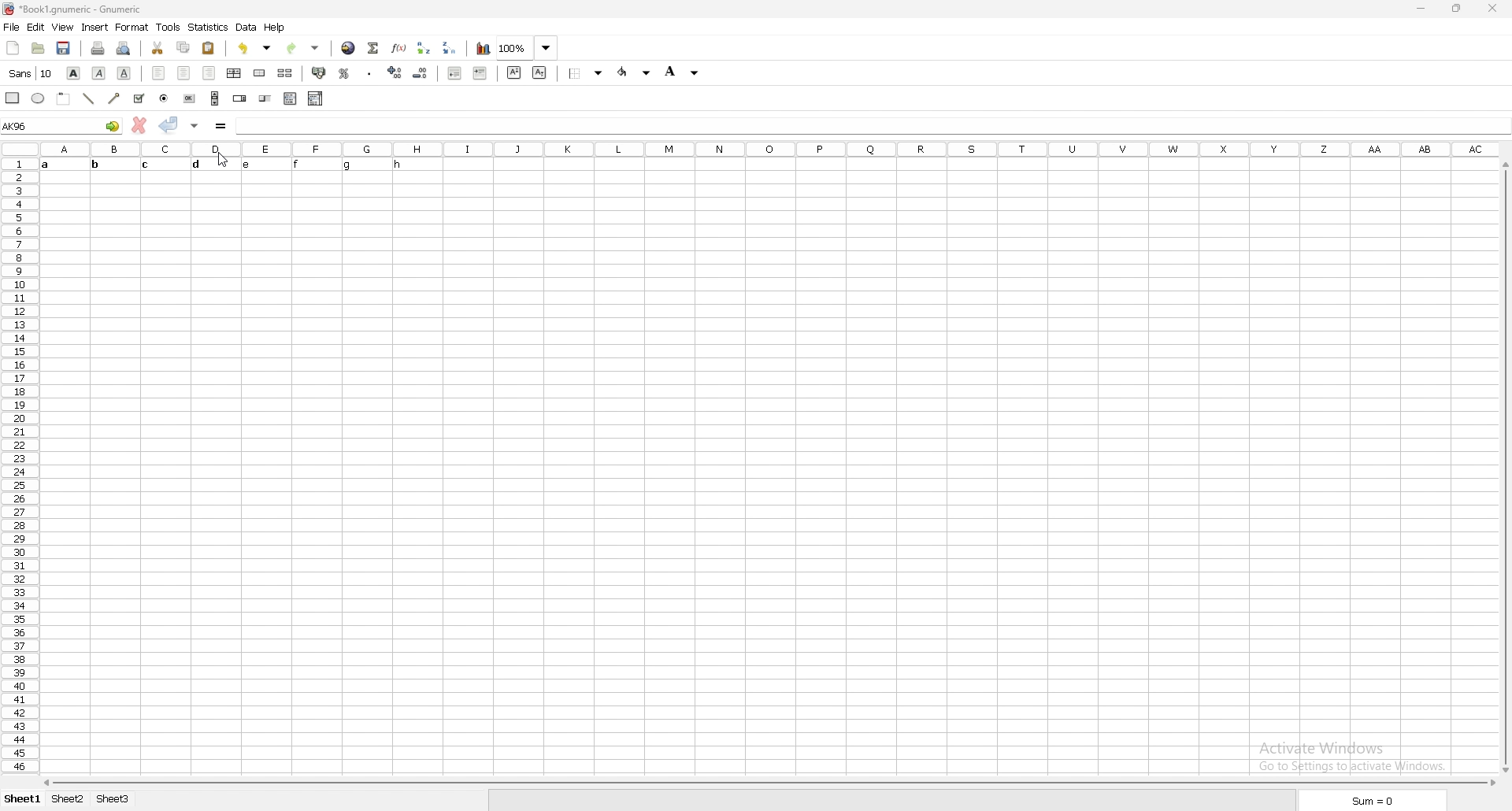  Describe the element at coordinates (589, 72) in the screenshot. I see `border` at that location.